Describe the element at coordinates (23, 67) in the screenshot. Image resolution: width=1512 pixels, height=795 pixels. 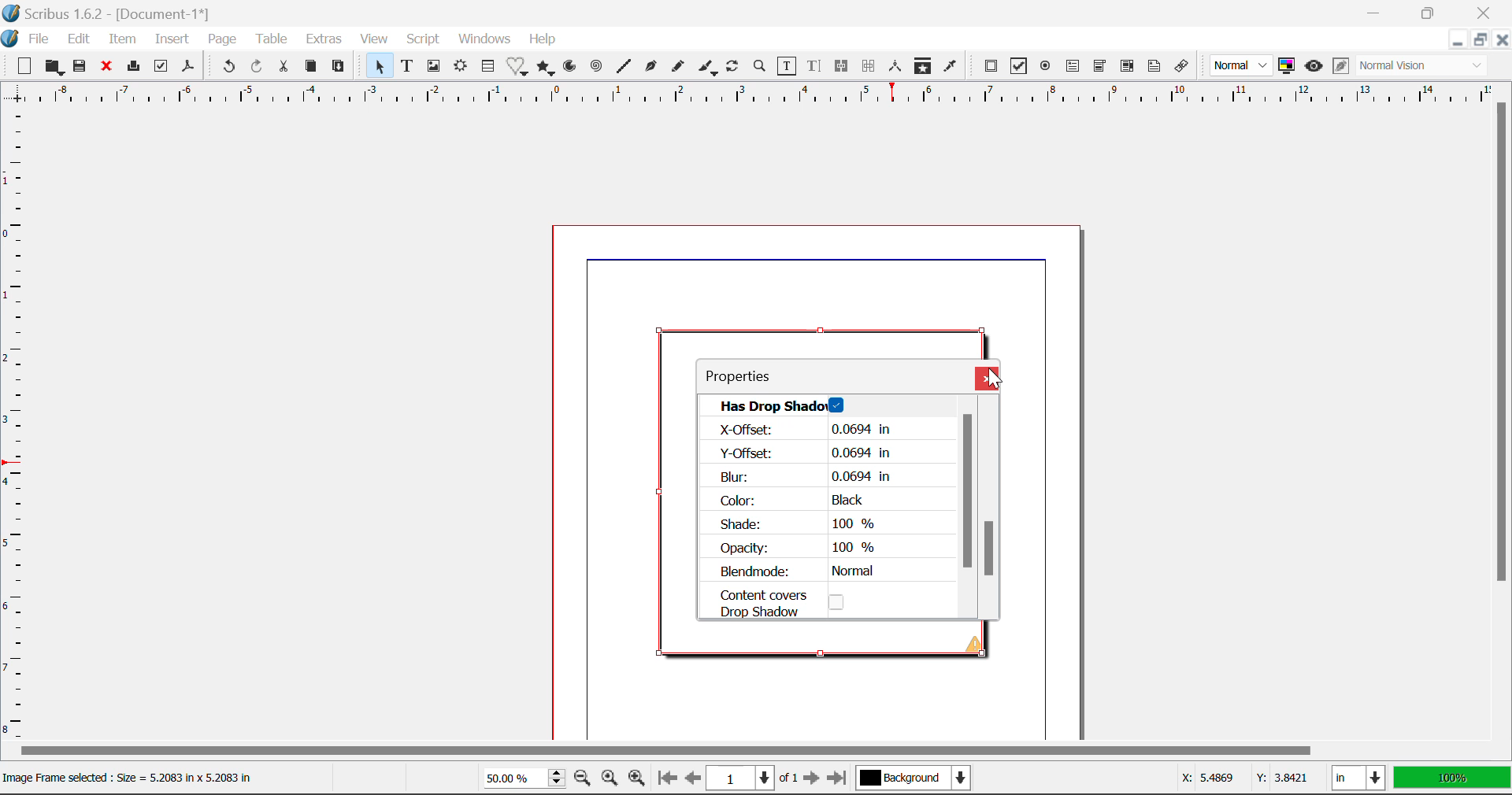
I see `New` at that location.